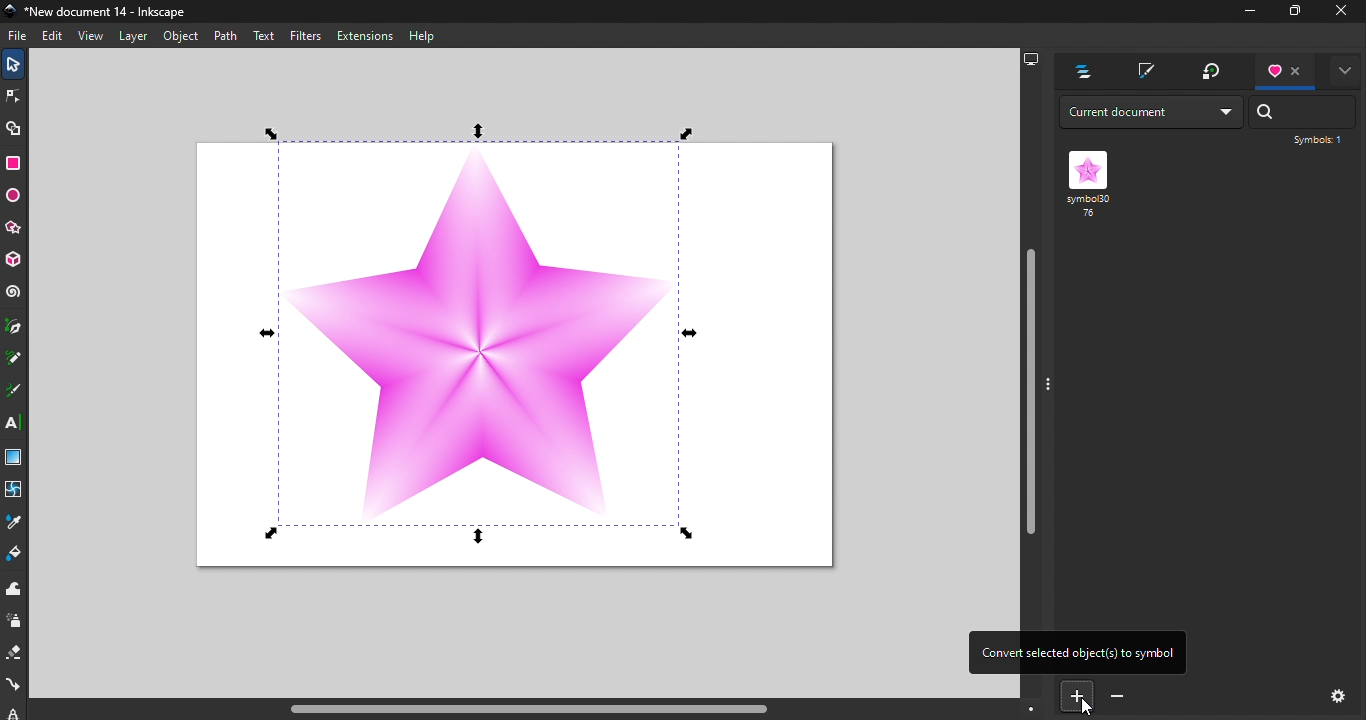 This screenshot has width=1366, height=720. I want to click on Pen tool, so click(14, 323).